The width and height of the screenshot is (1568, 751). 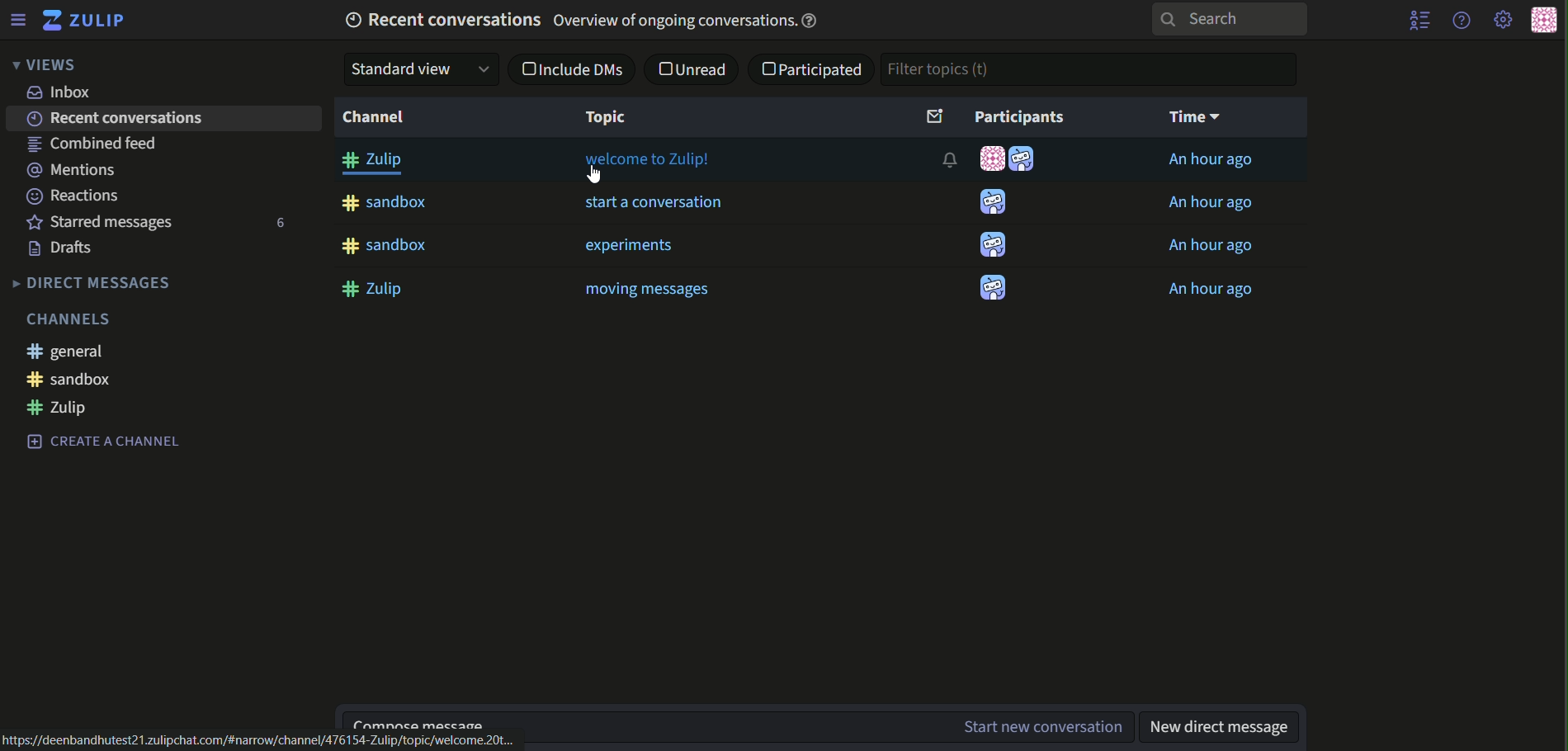 What do you see at coordinates (769, 69) in the screenshot?
I see `check box` at bounding box center [769, 69].